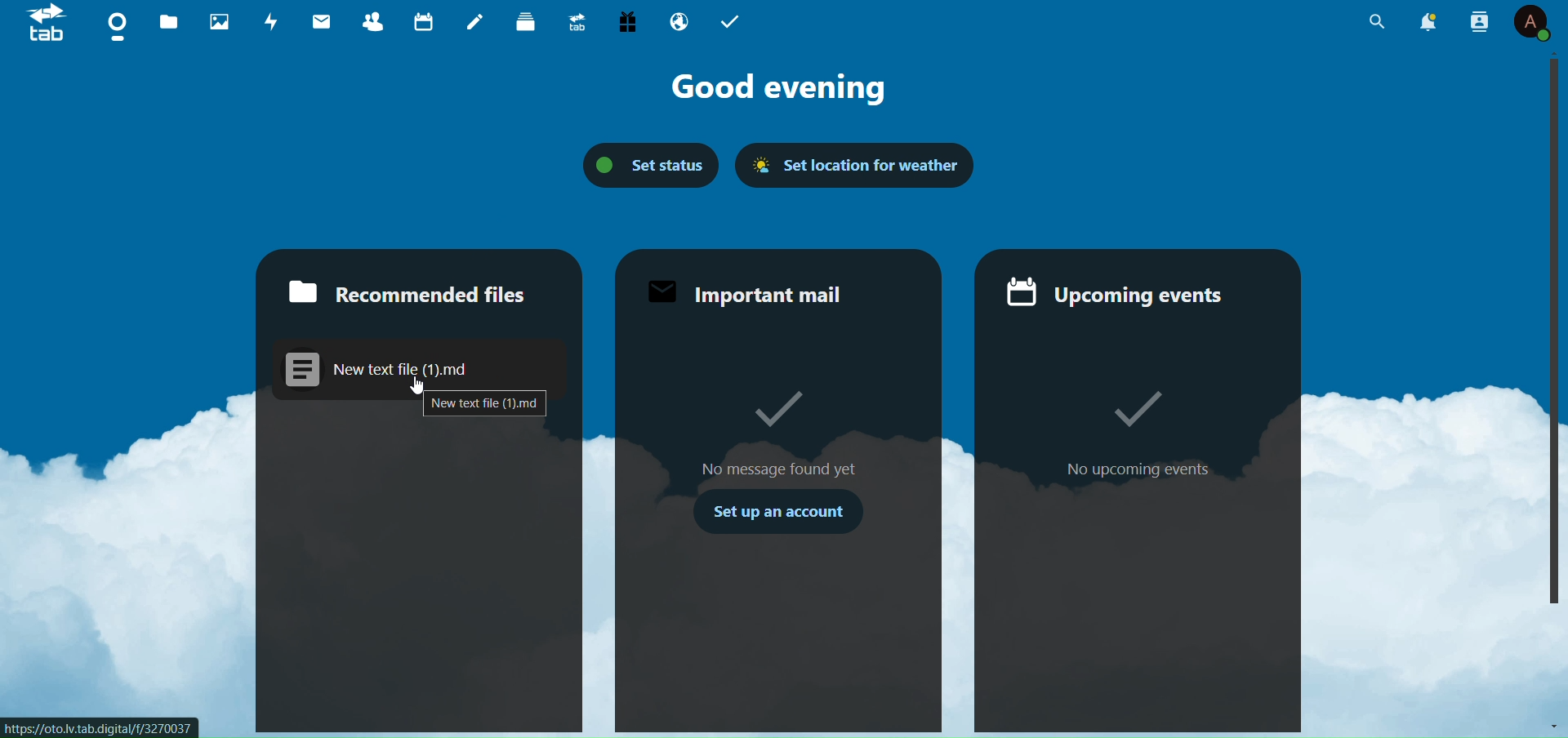 The width and height of the screenshot is (1568, 738). I want to click on text, so click(1140, 469).